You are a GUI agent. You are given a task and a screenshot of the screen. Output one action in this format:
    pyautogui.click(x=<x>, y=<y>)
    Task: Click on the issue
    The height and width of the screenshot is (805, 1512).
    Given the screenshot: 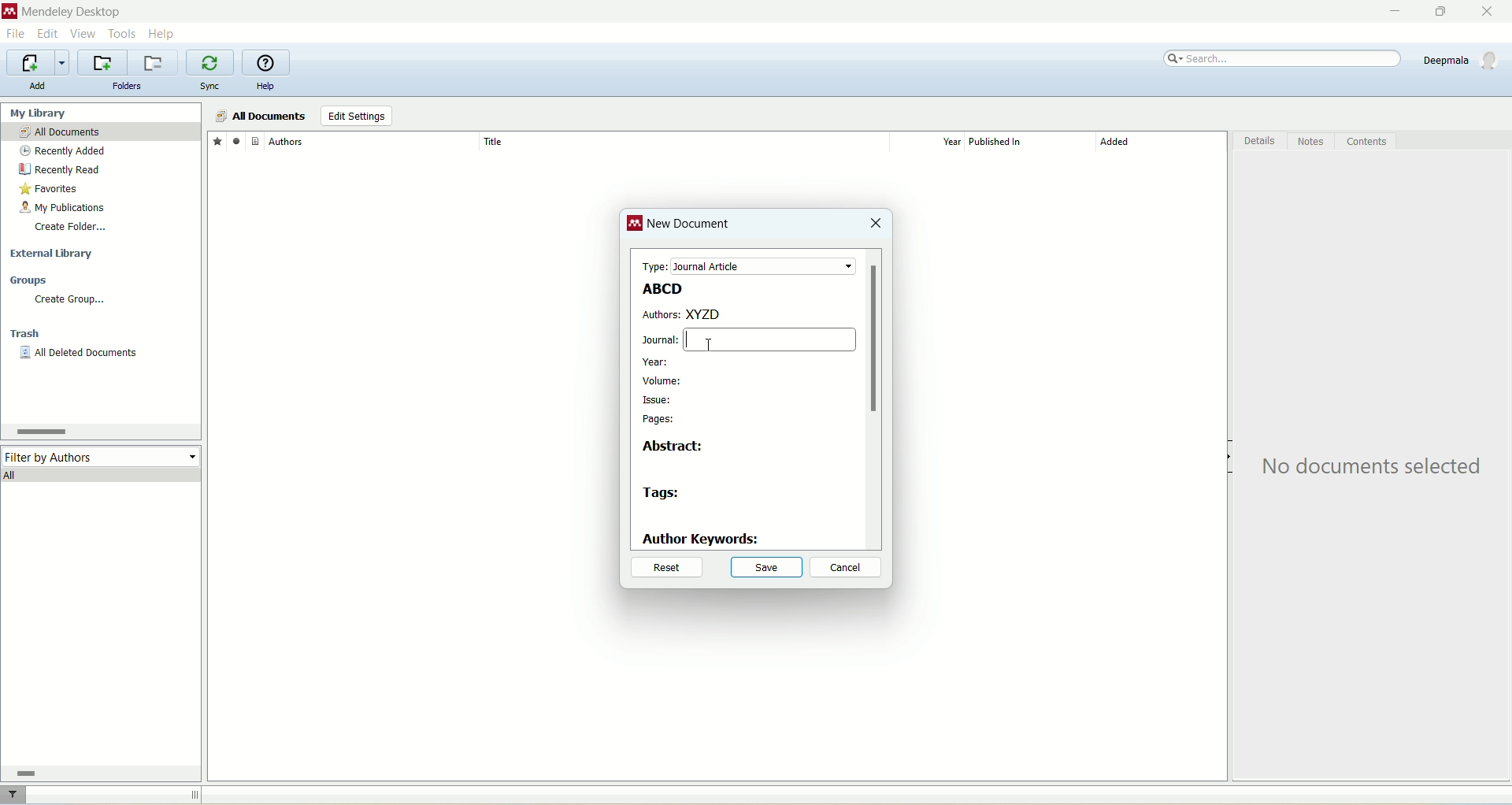 What is the action you would take?
    pyautogui.click(x=658, y=402)
    